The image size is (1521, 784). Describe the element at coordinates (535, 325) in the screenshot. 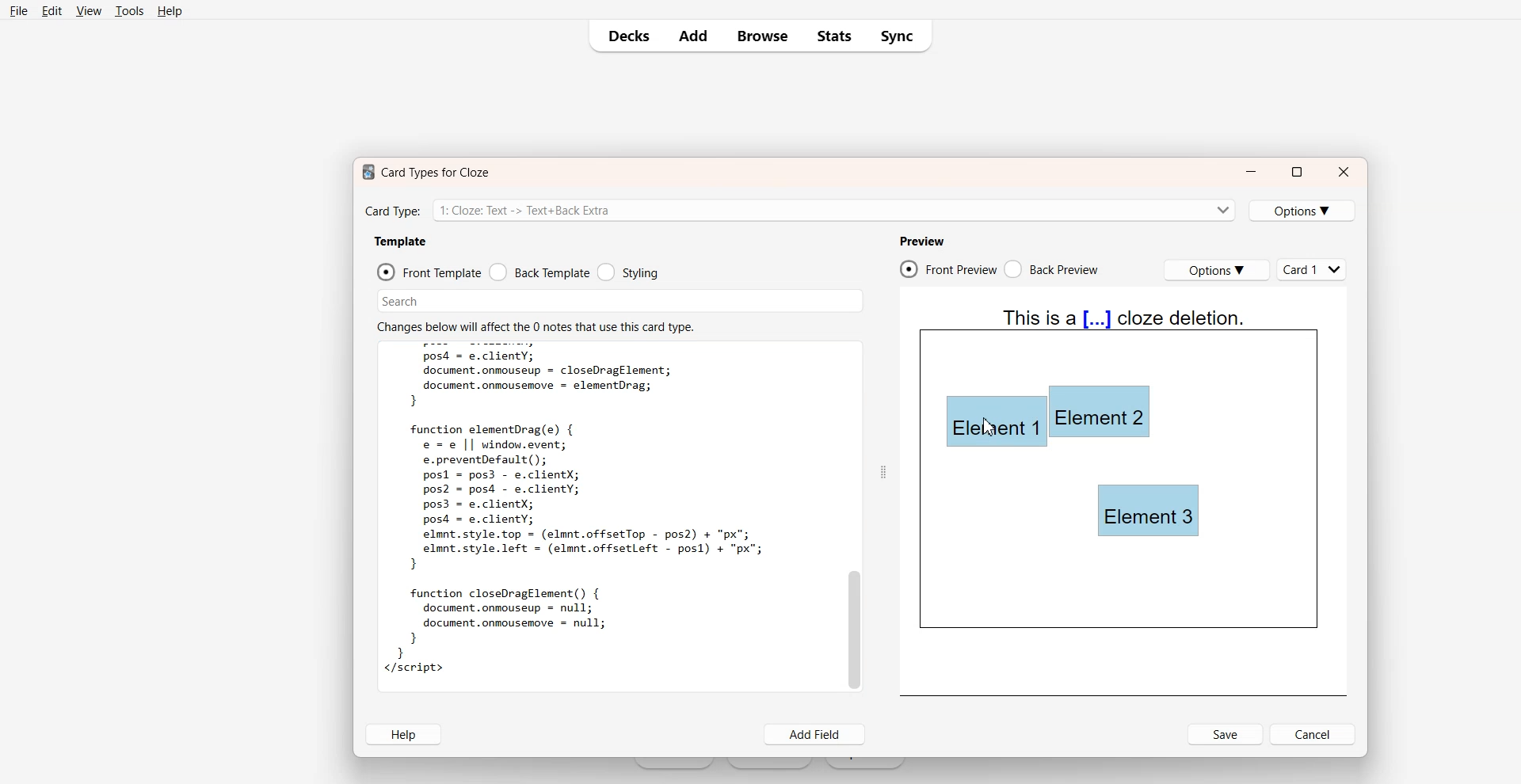

I see `Text 2` at that location.